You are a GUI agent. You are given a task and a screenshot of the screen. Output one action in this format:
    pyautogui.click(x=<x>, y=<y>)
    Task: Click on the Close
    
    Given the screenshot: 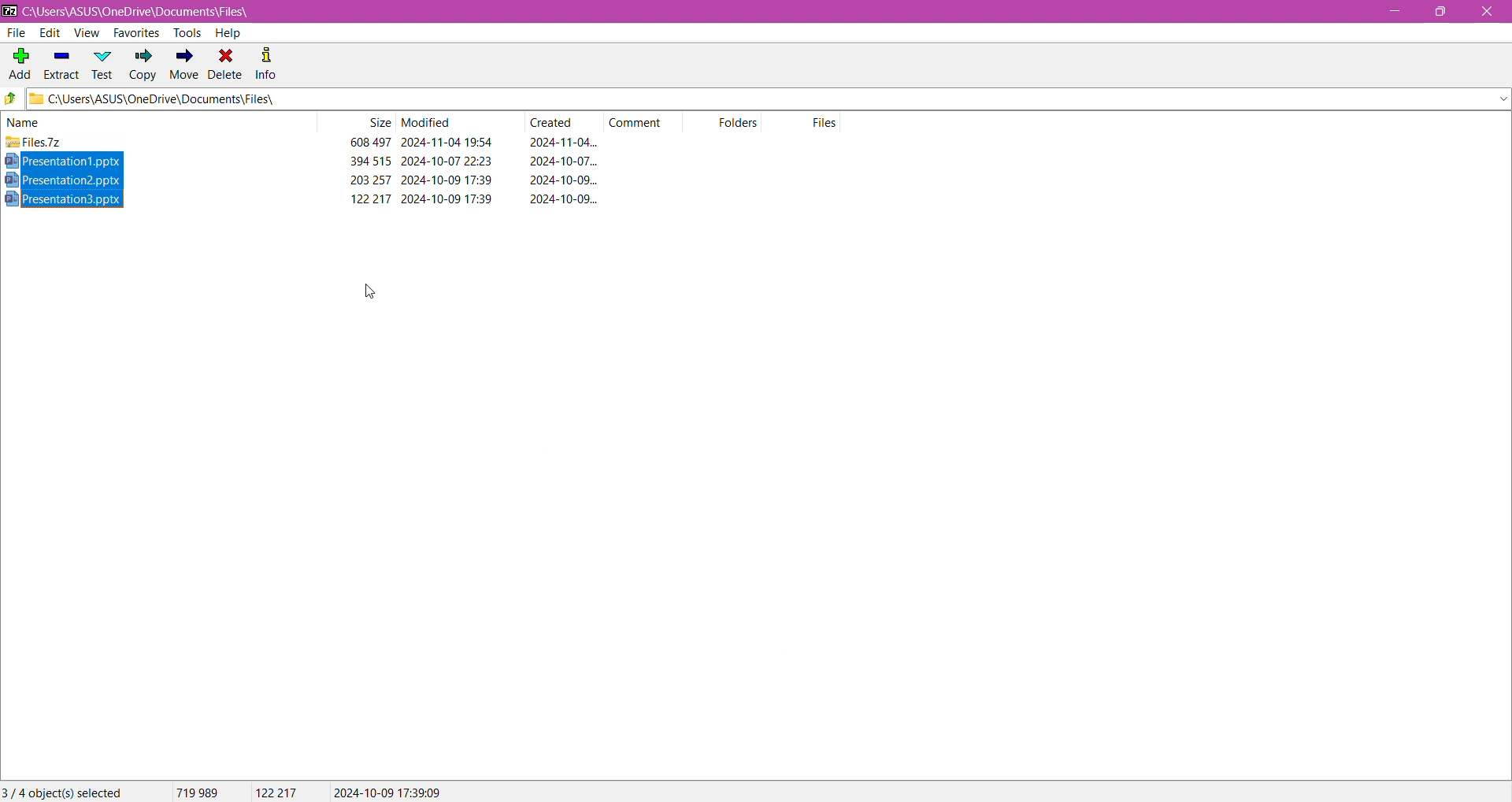 What is the action you would take?
    pyautogui.click(x=1487, y=13)
    